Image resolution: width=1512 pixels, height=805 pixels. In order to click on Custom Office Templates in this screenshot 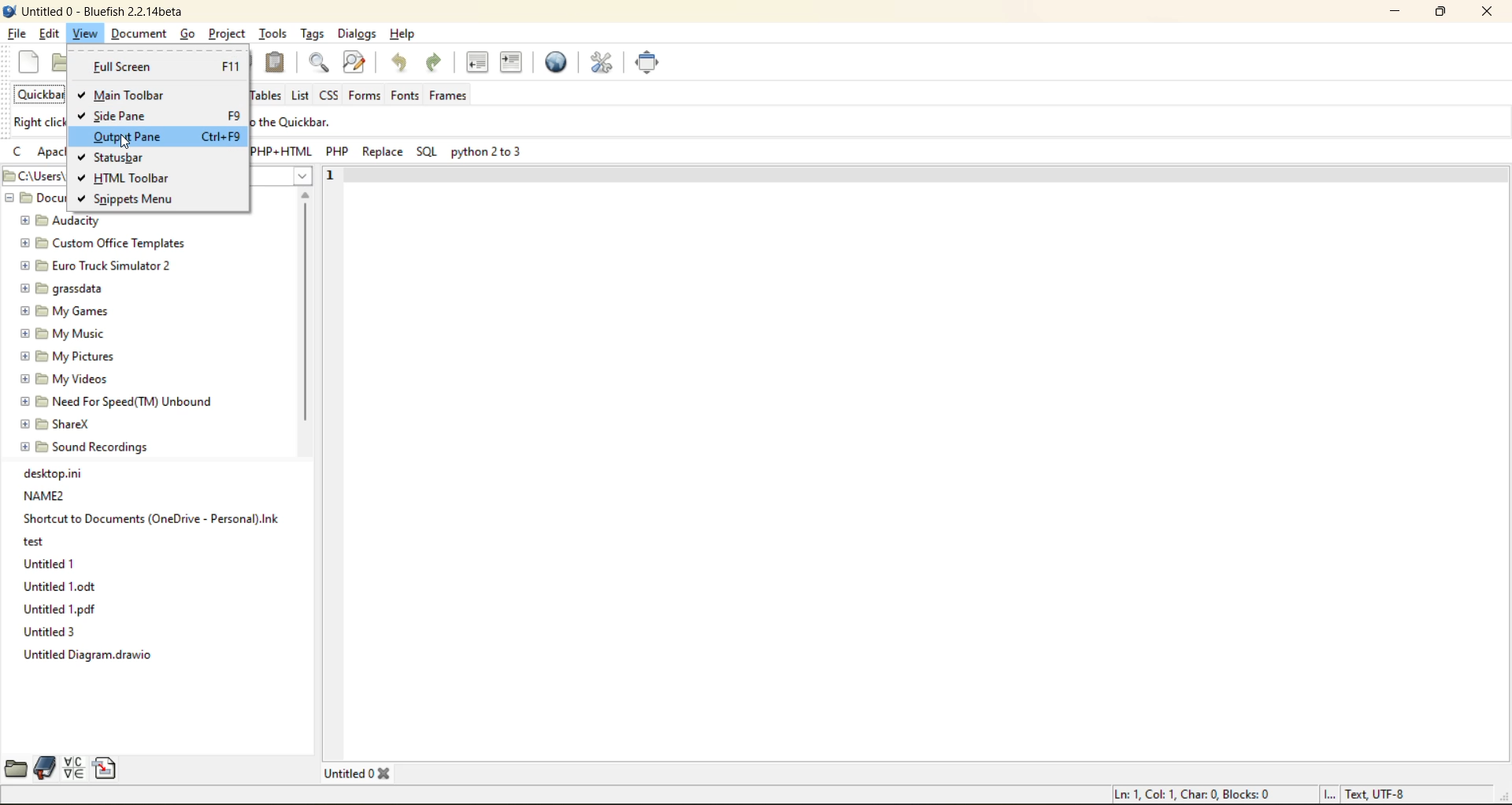, I will do `click(108, 243)`.